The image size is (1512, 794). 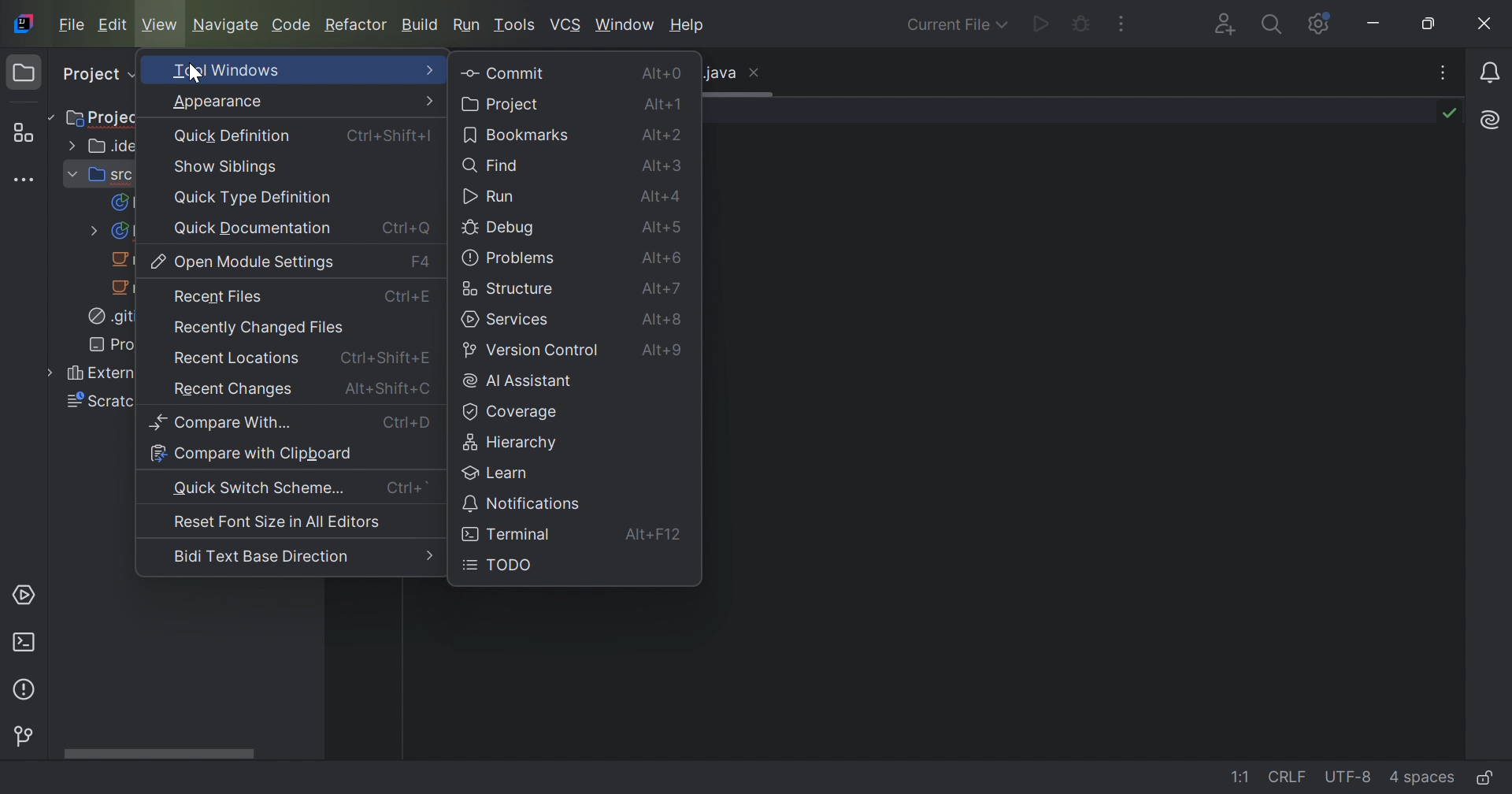 I want to click on Alt+3, so click(x=665, y=170).